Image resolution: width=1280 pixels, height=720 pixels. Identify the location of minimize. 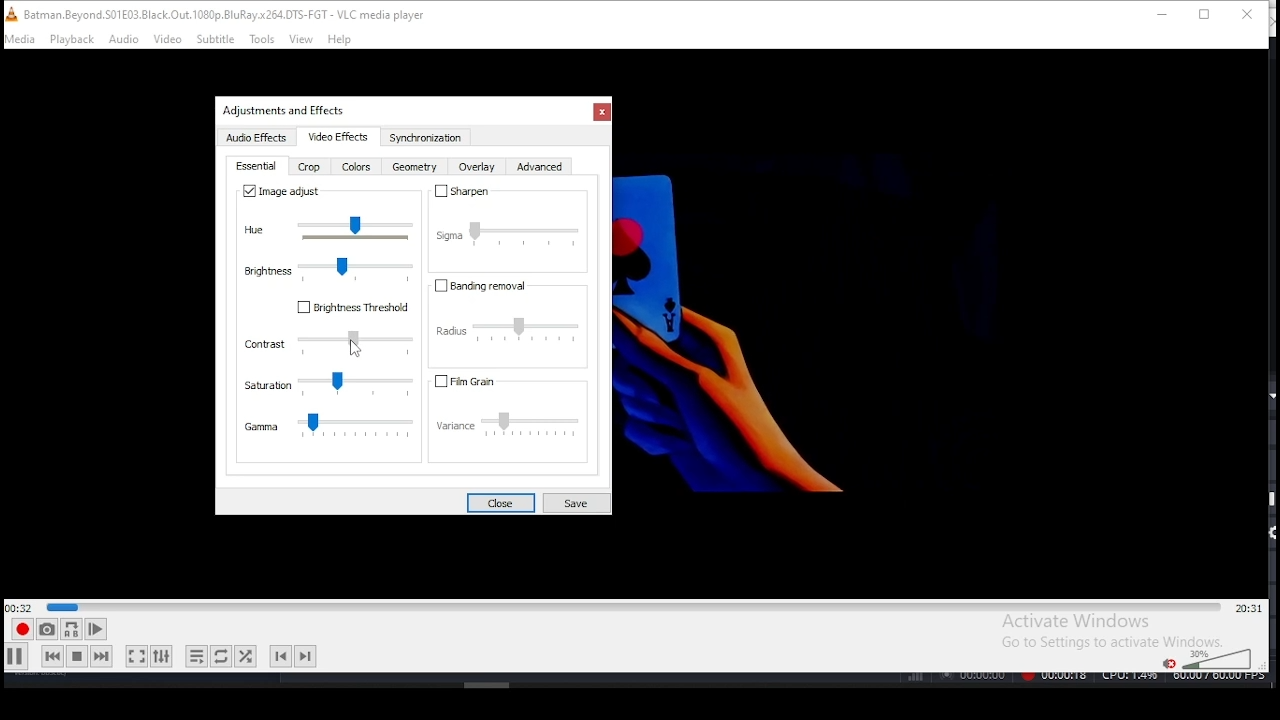
(1158, 14).